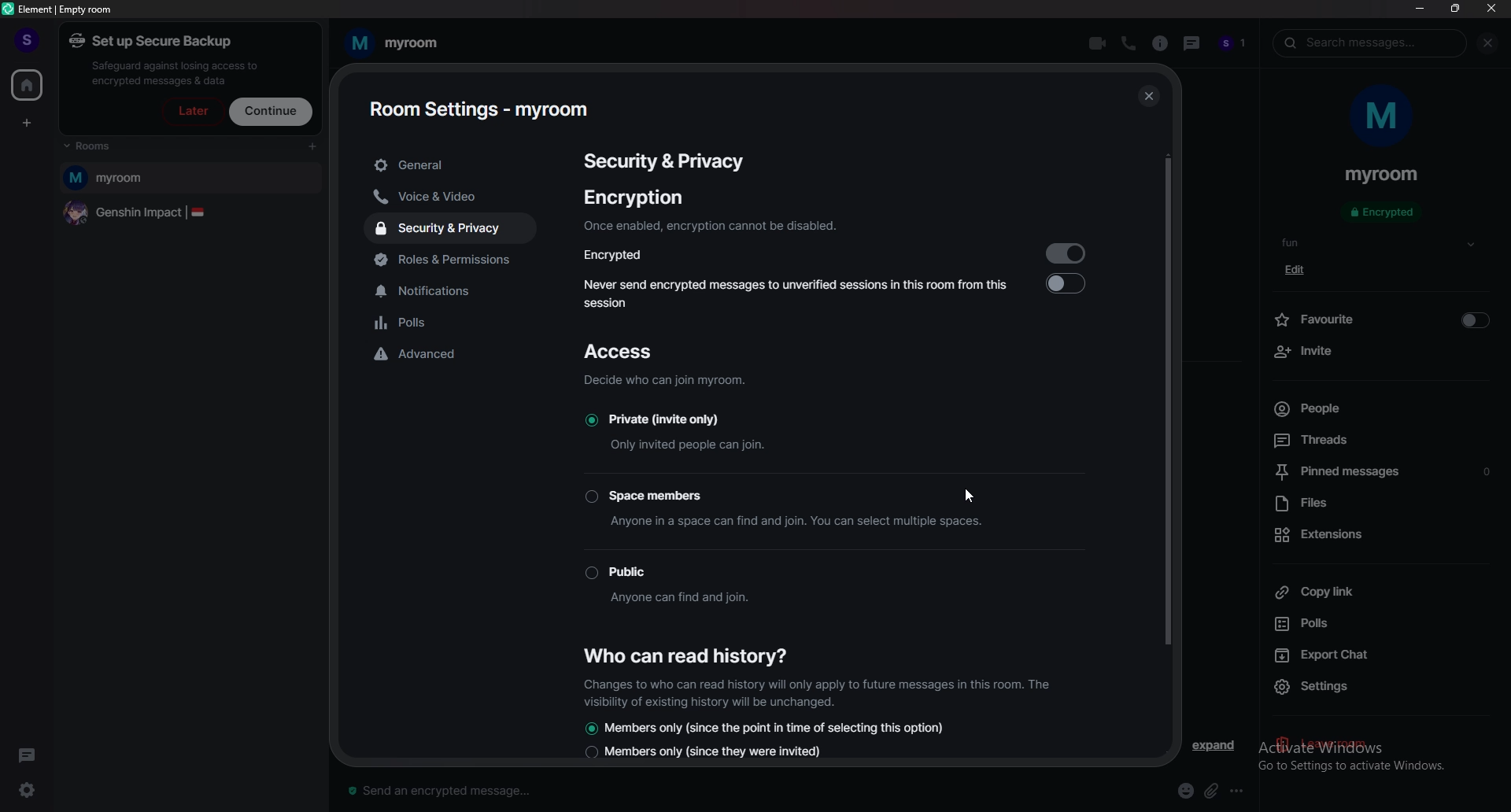 This screenshot has width=1511, height=812. What do you see at coordinates (449, 356) in the screenshot?
I see `advanced` at bounding box center [449, 356].